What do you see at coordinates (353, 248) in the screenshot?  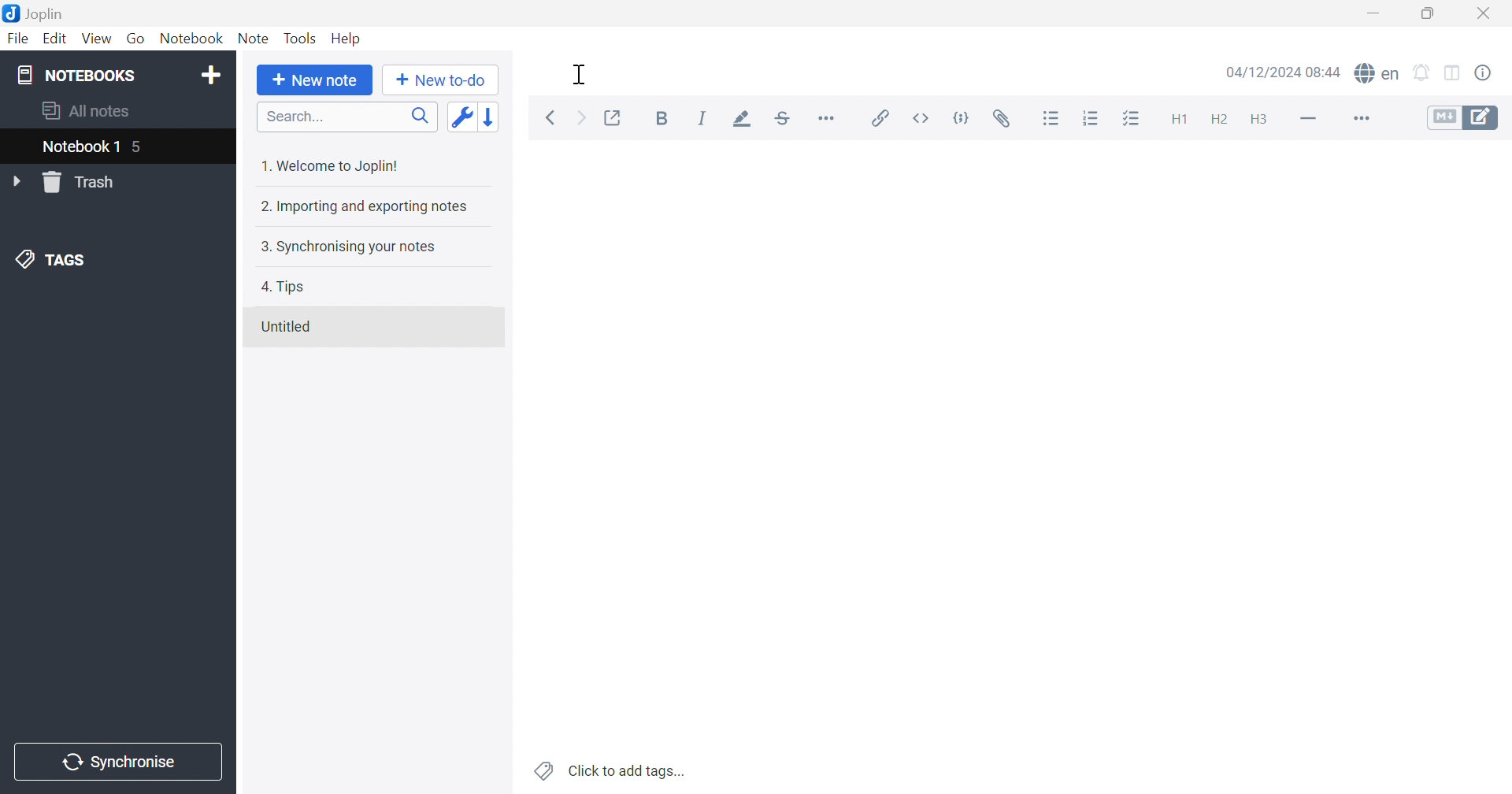 I see `3. Synchronising your notes` at bounding box center [353, 248].